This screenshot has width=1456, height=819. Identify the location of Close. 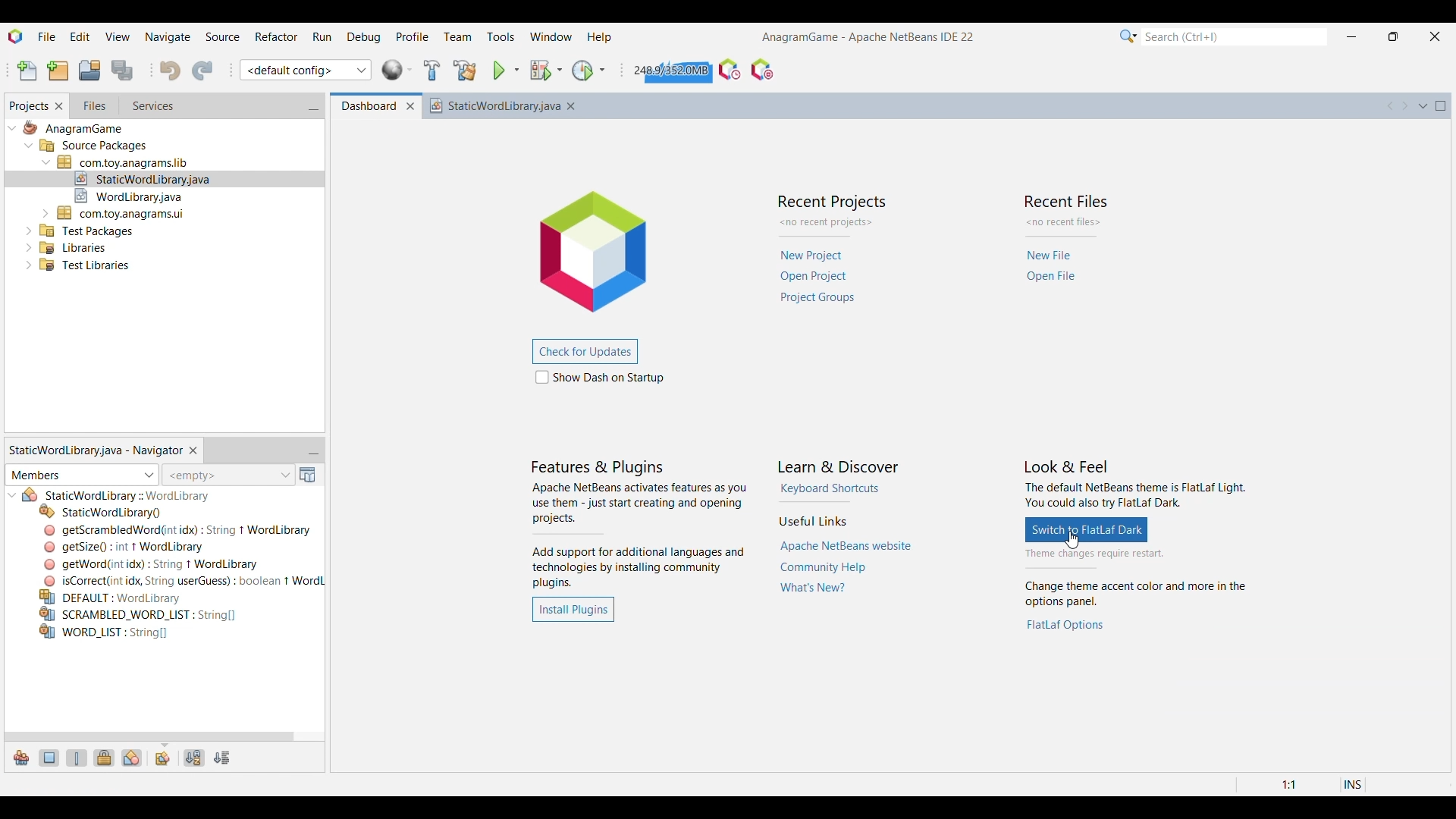
(1441, 764).